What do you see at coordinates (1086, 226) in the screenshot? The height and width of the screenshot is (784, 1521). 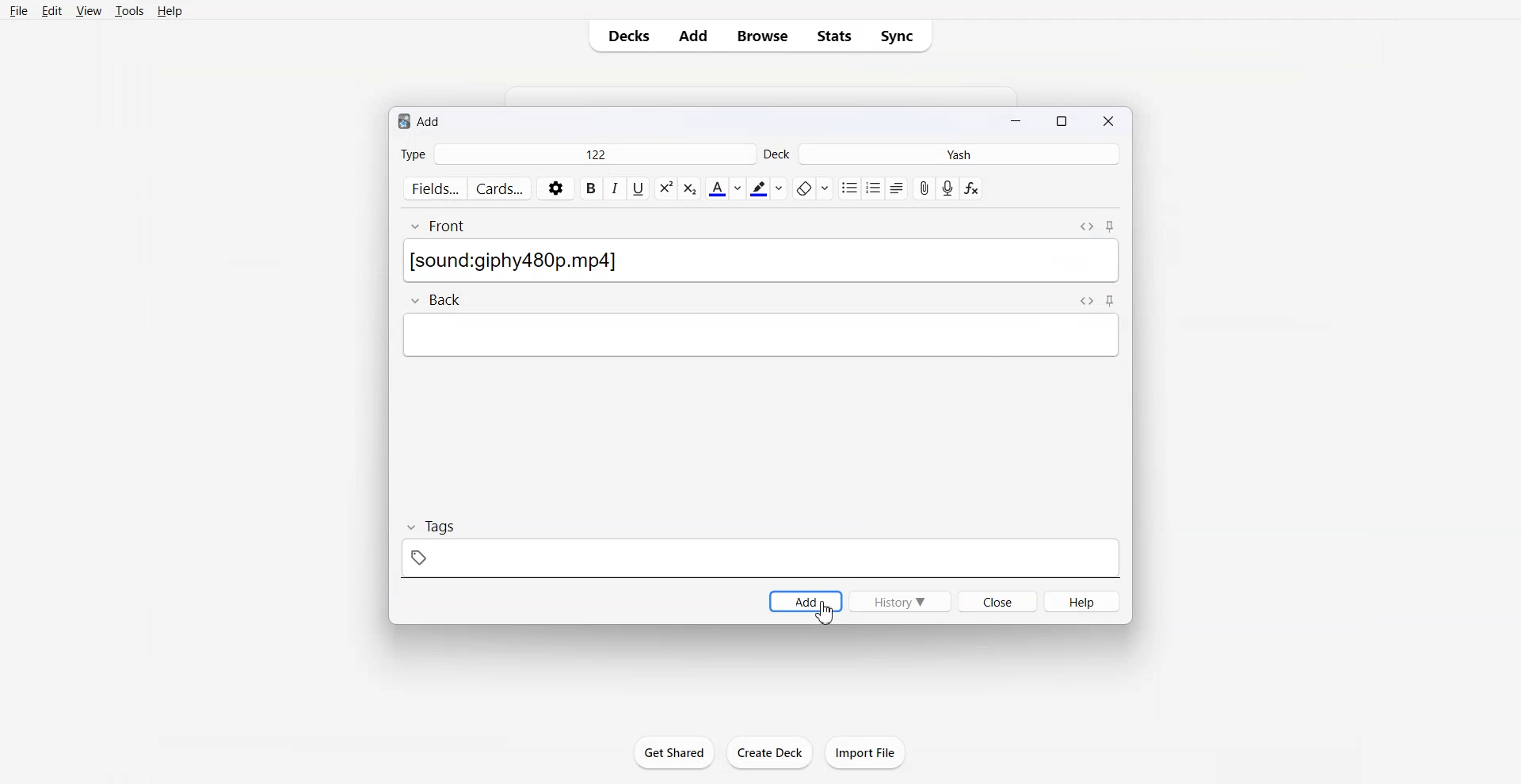 I see `Toggle HTML Editor` at bounding box center [1086, 226].